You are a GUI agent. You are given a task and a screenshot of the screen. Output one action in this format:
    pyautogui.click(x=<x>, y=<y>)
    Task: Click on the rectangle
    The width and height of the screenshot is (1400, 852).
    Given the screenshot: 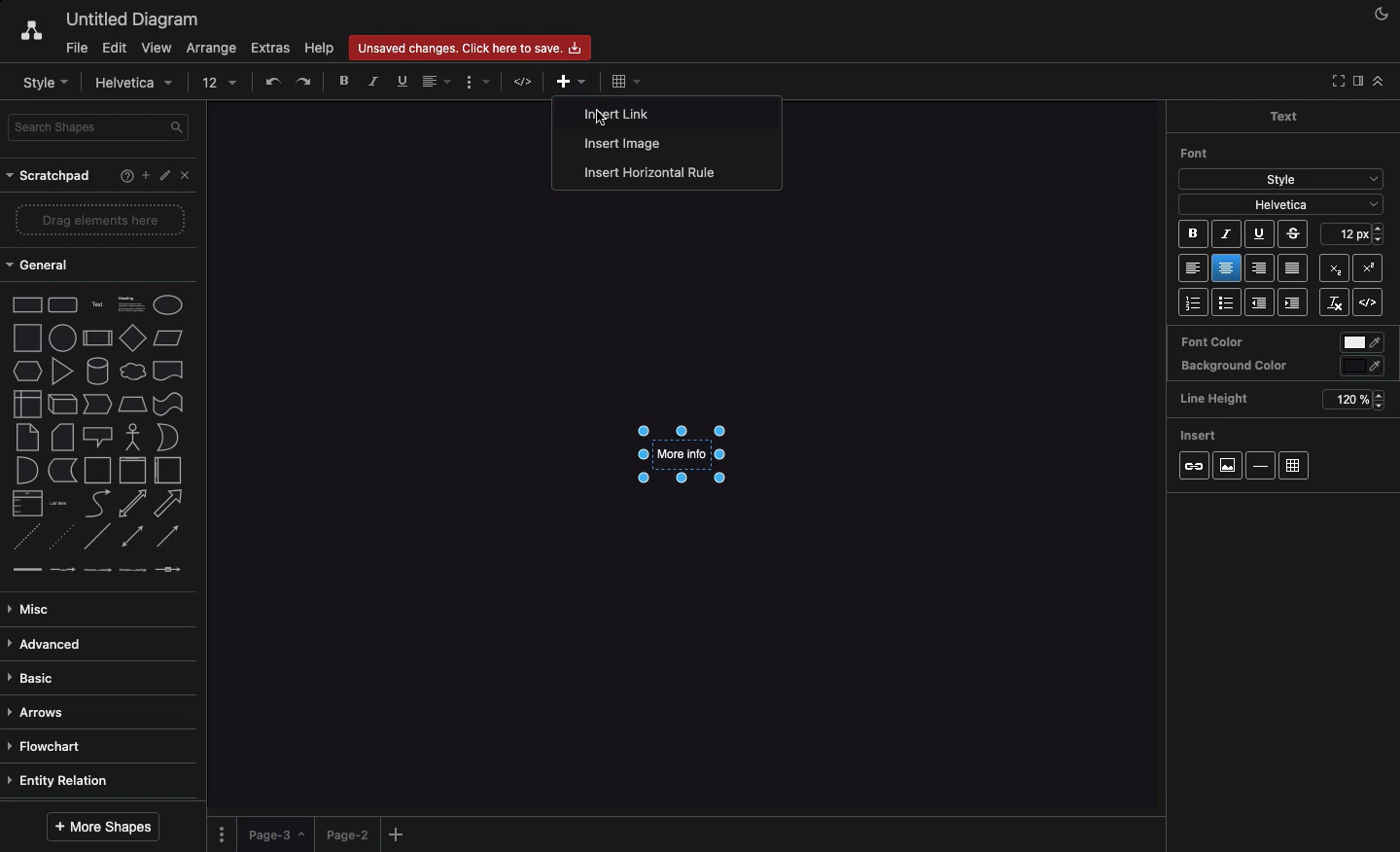 What is the action you would take?
    pyautogui.click(x=28, y=304)
    